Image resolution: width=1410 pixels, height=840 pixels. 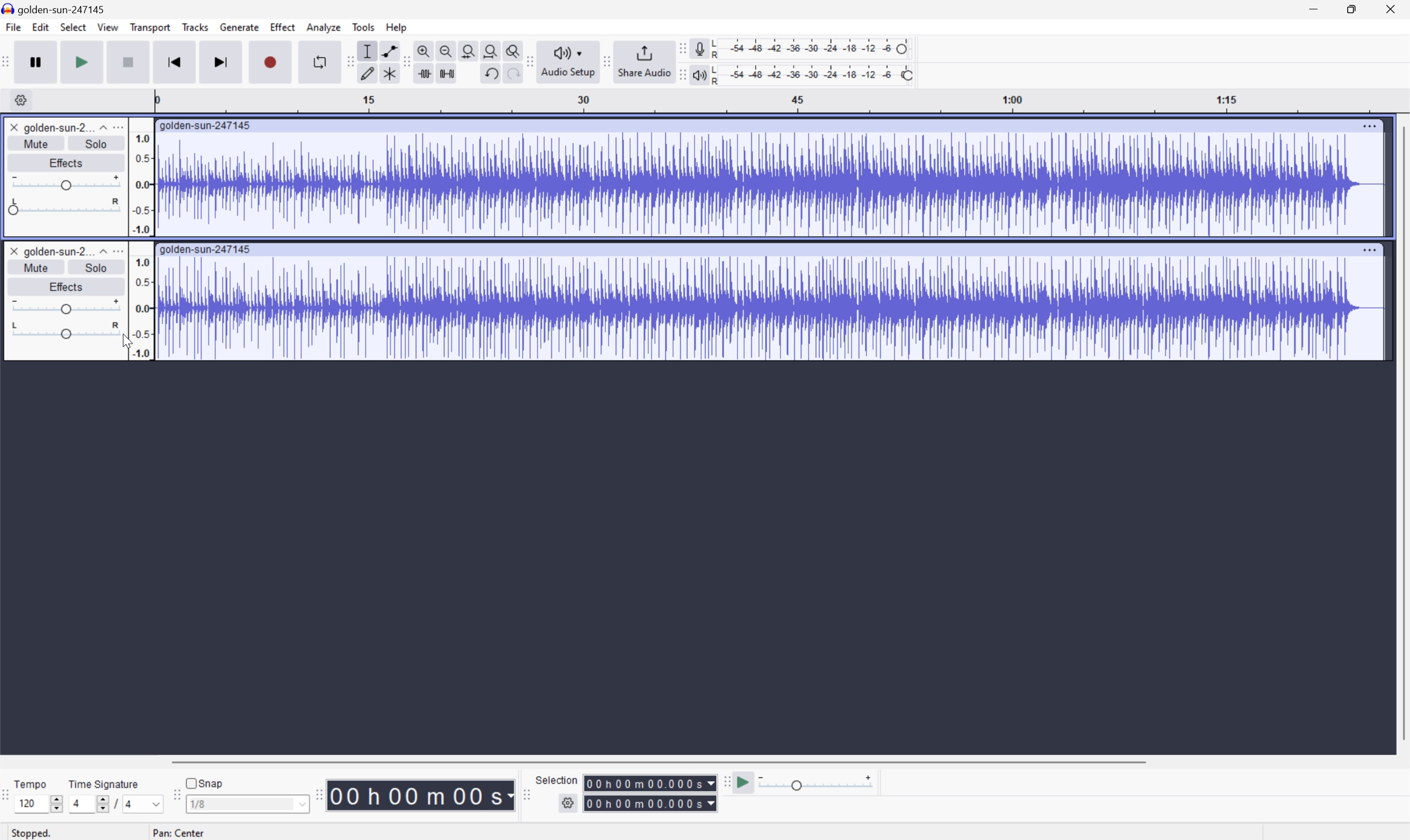 What do you see at coordinates (32, 783) in the screenshot?
I see `Tempo` at bounding box center [32, 783].